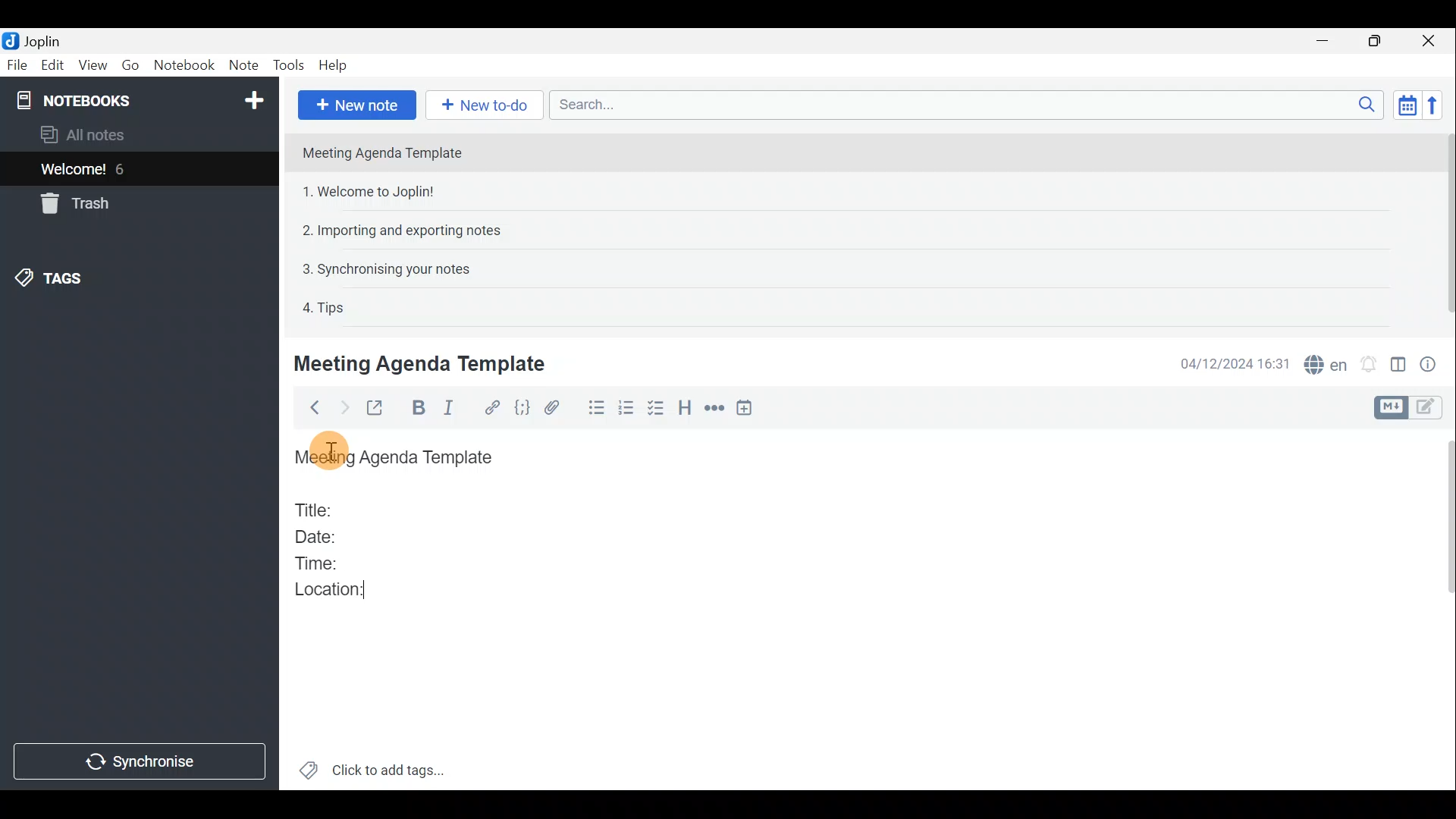 This screenshot has width=1456, height=819. What do you see at coordinates (328, 535) in the screenshot?
I see `Date:` at bounding box center [328, 535].